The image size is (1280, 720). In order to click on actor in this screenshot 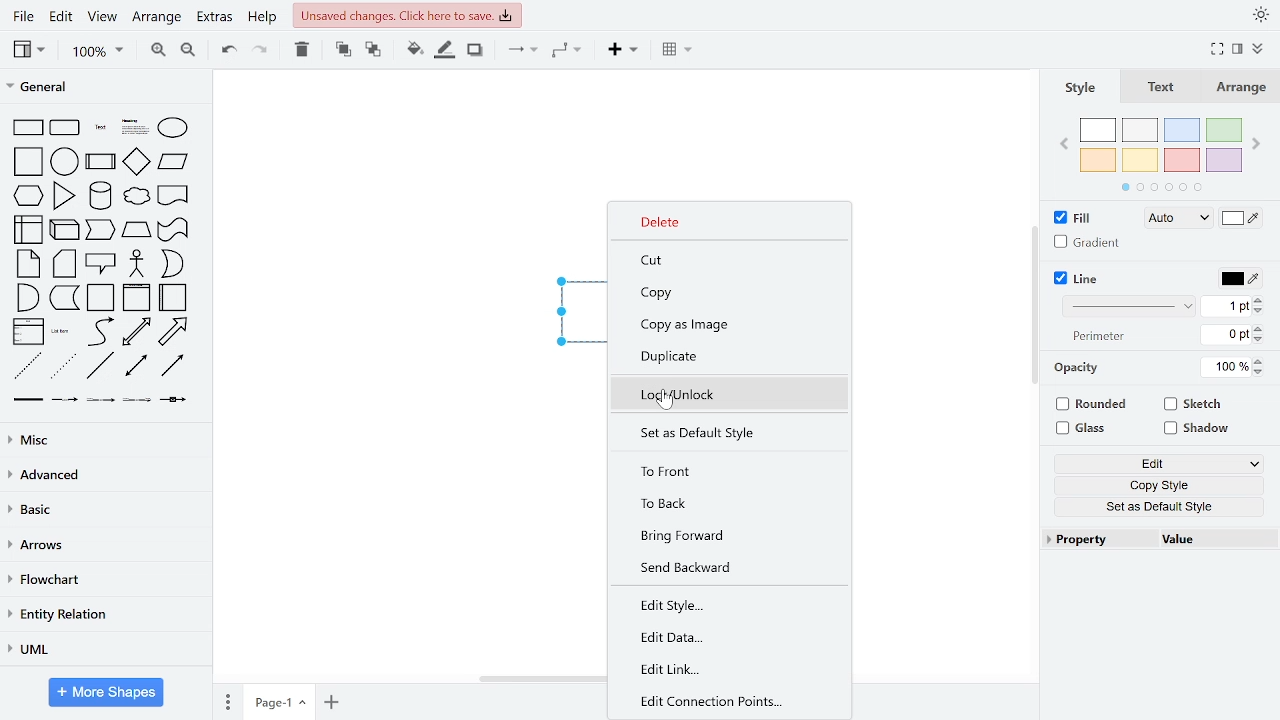, I will do `click(136, 263)`.